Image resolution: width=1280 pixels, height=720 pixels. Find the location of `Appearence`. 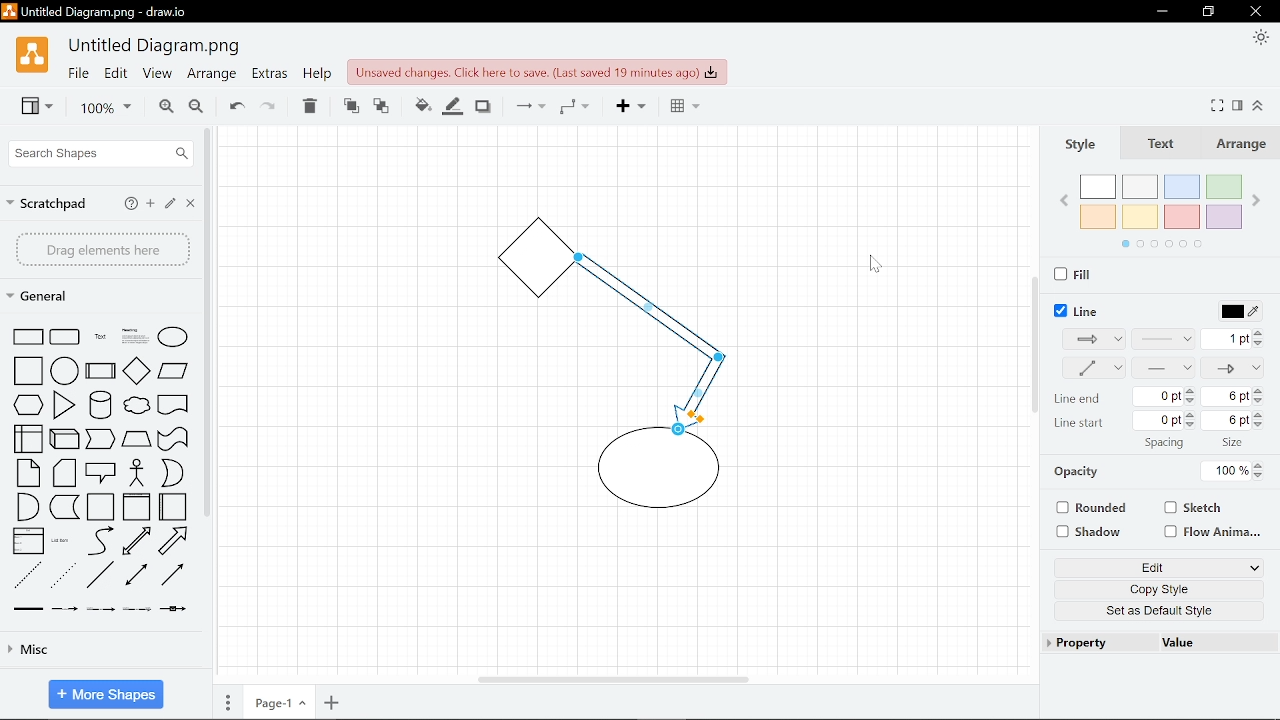

Appearence is located at coordinates (1258, 39).